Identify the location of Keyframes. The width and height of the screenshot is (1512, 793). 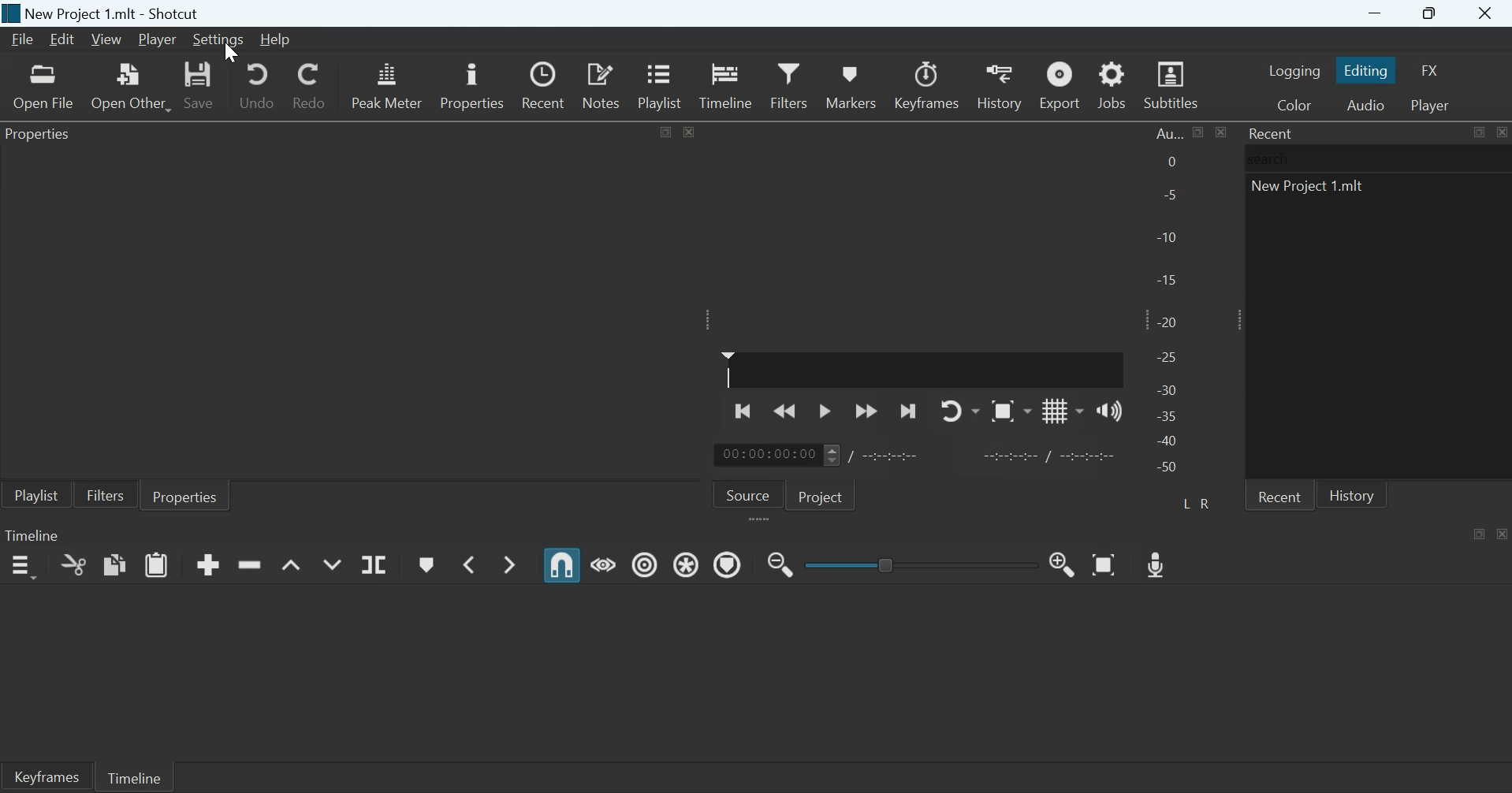
(928, 85).